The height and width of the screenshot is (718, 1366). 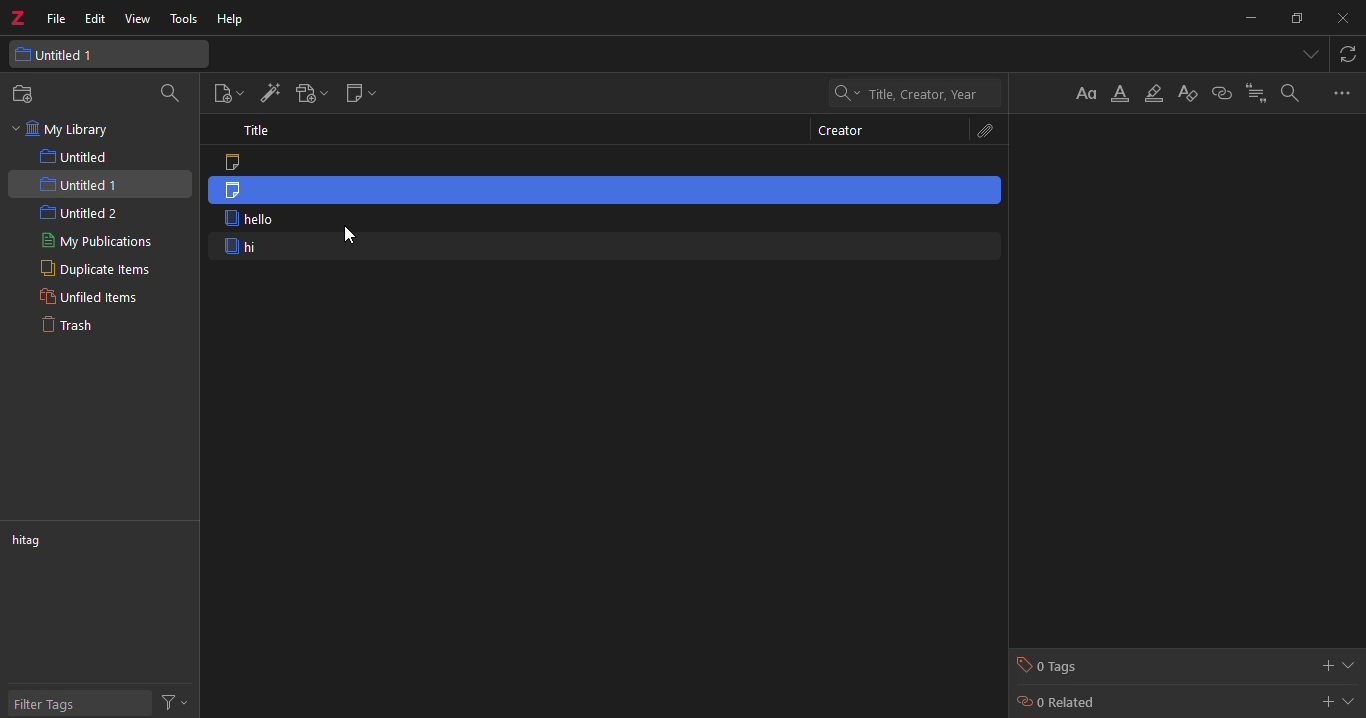 What do you see at coordinates (1154, 93) in the screenshot?
I see `highlight text` at bounding box center [1154, 93].